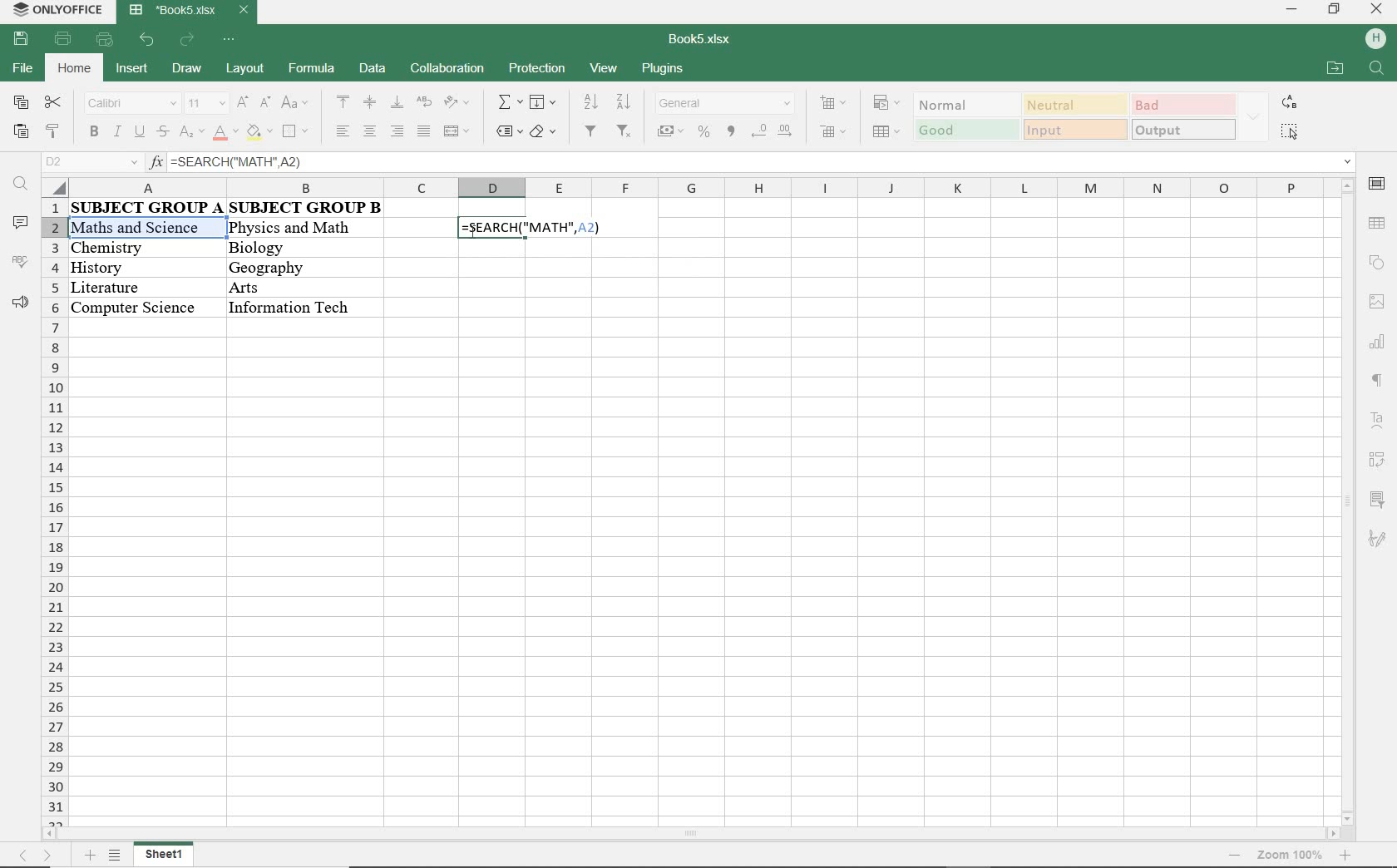  I want to click on minimize, so click(1290, 9).